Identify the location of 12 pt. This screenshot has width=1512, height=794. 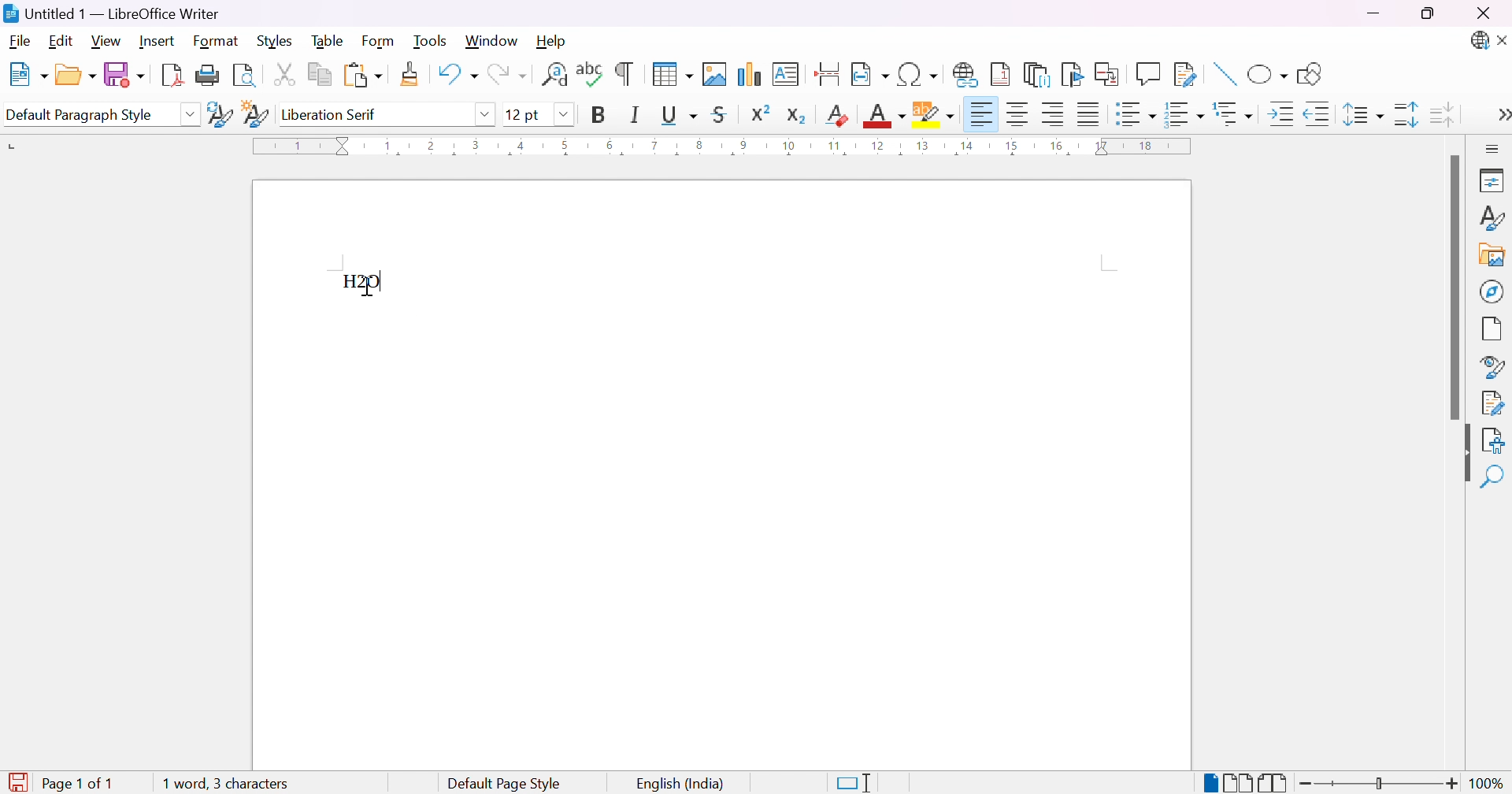
(524, 114).